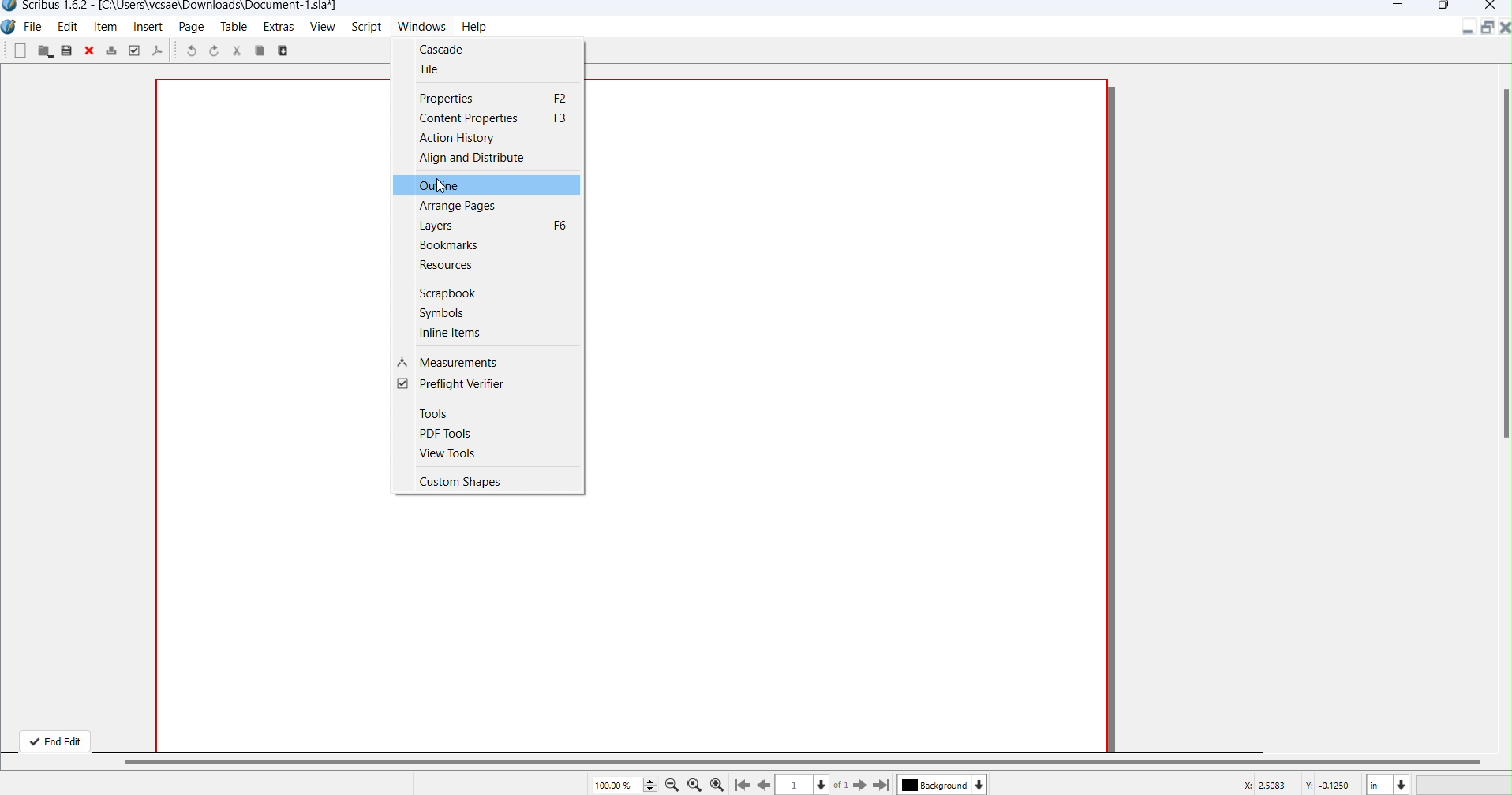 This screenshot has height=795, width=1512. I want to click on go to end, so click(882, 786).